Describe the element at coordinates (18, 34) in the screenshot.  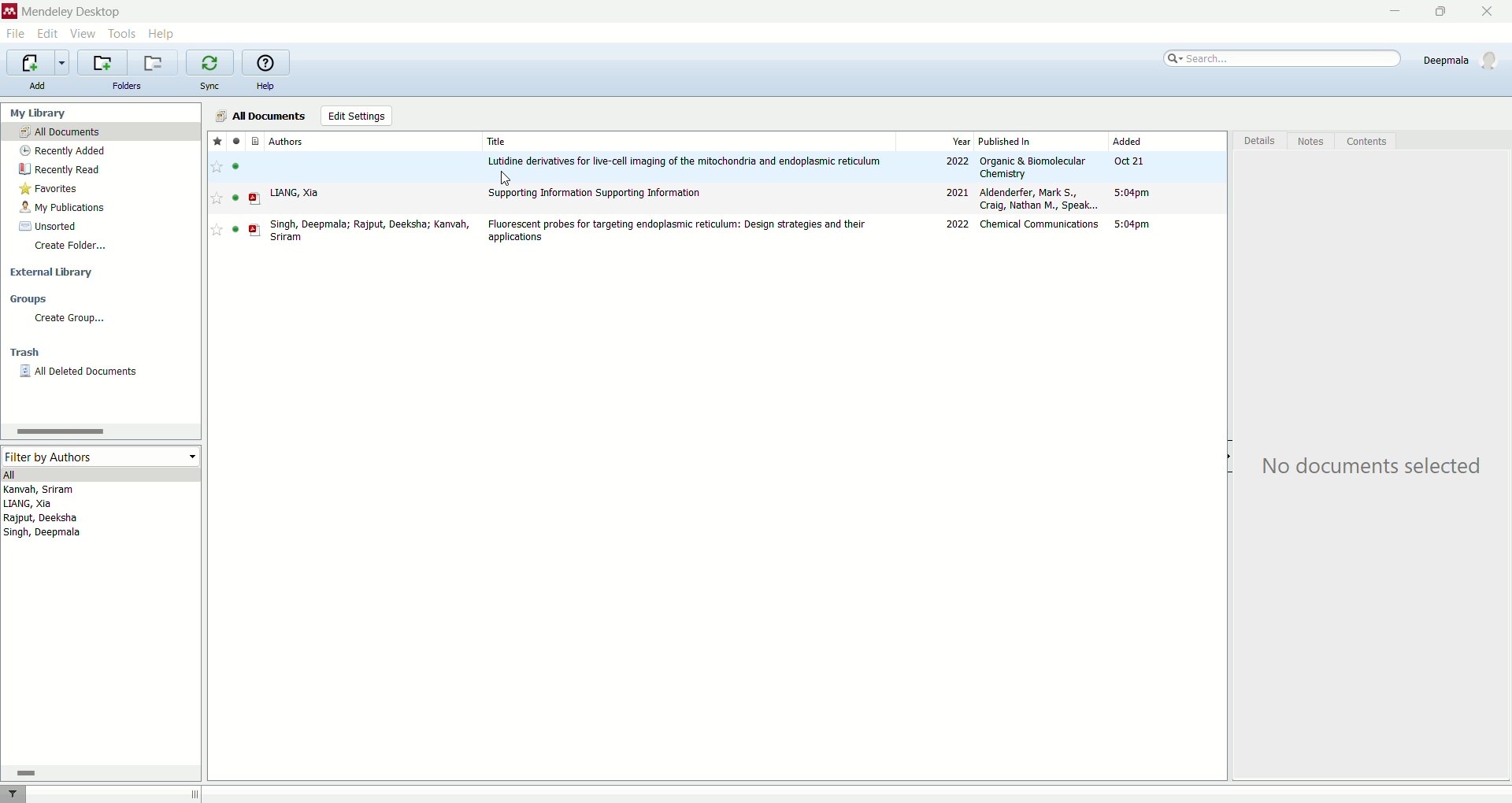
I see `file` at that location.